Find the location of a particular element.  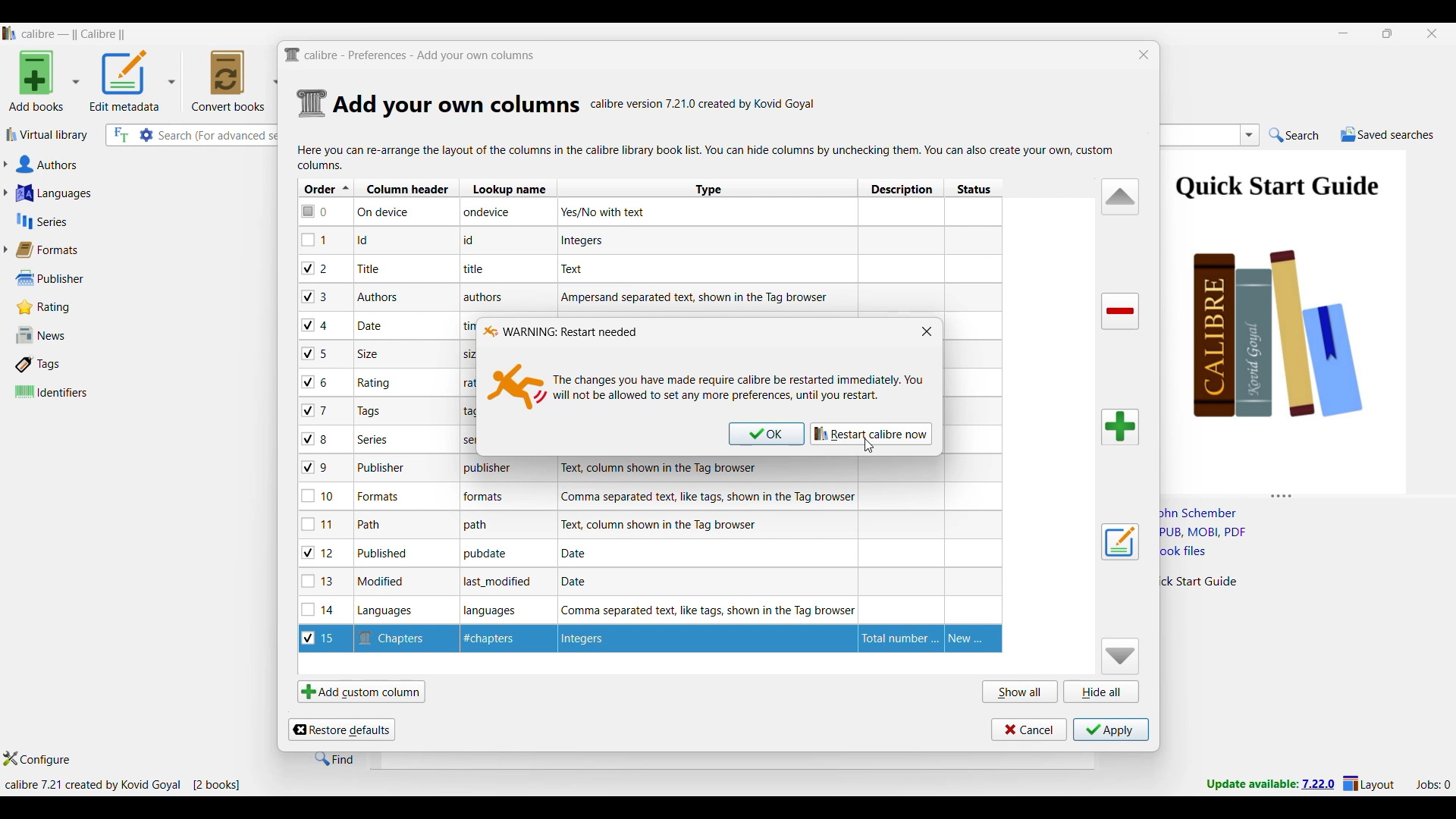

Explanation is located at coordinates (581, 582).